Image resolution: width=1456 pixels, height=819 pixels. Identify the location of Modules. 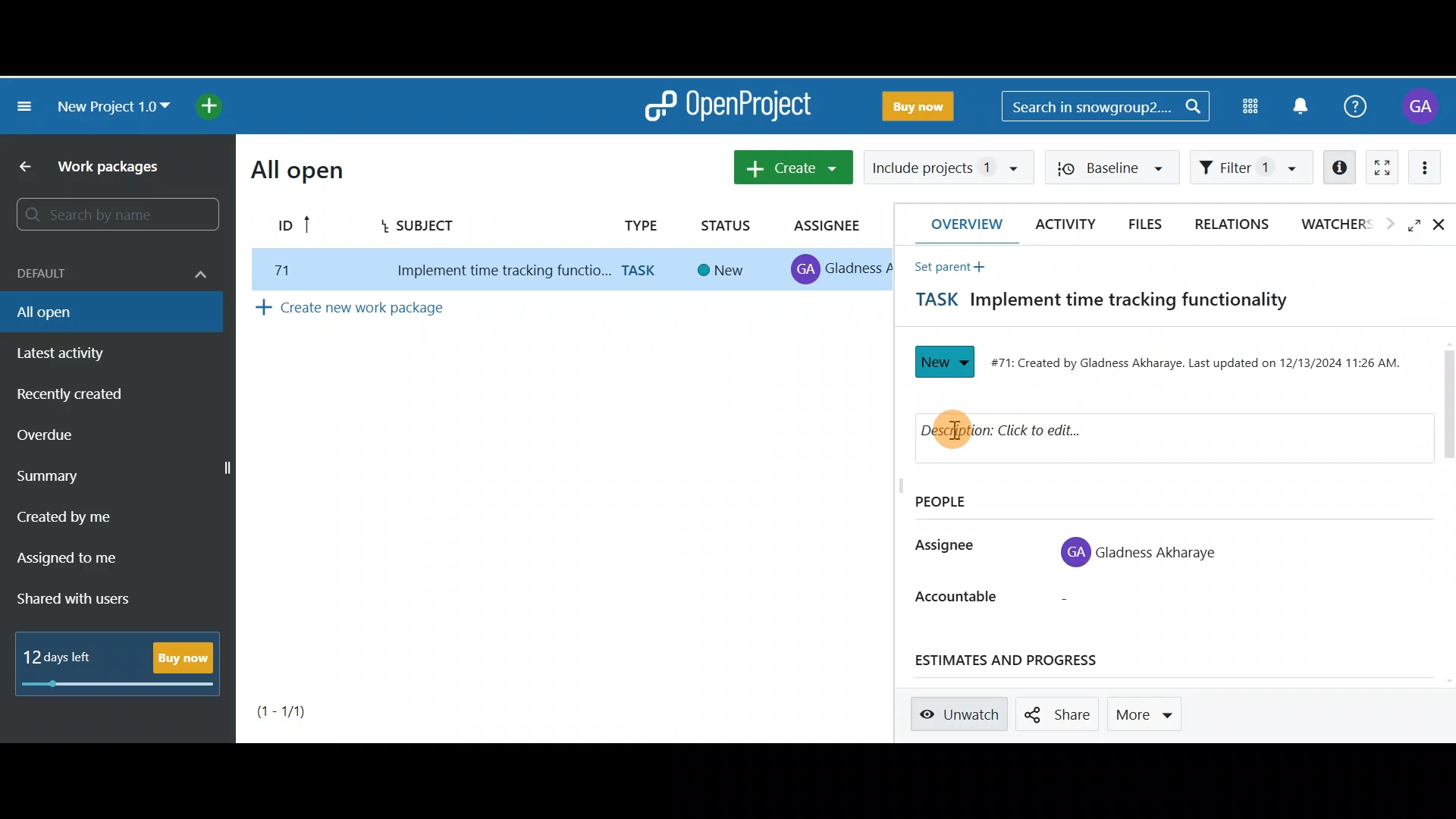
(1250, 106).